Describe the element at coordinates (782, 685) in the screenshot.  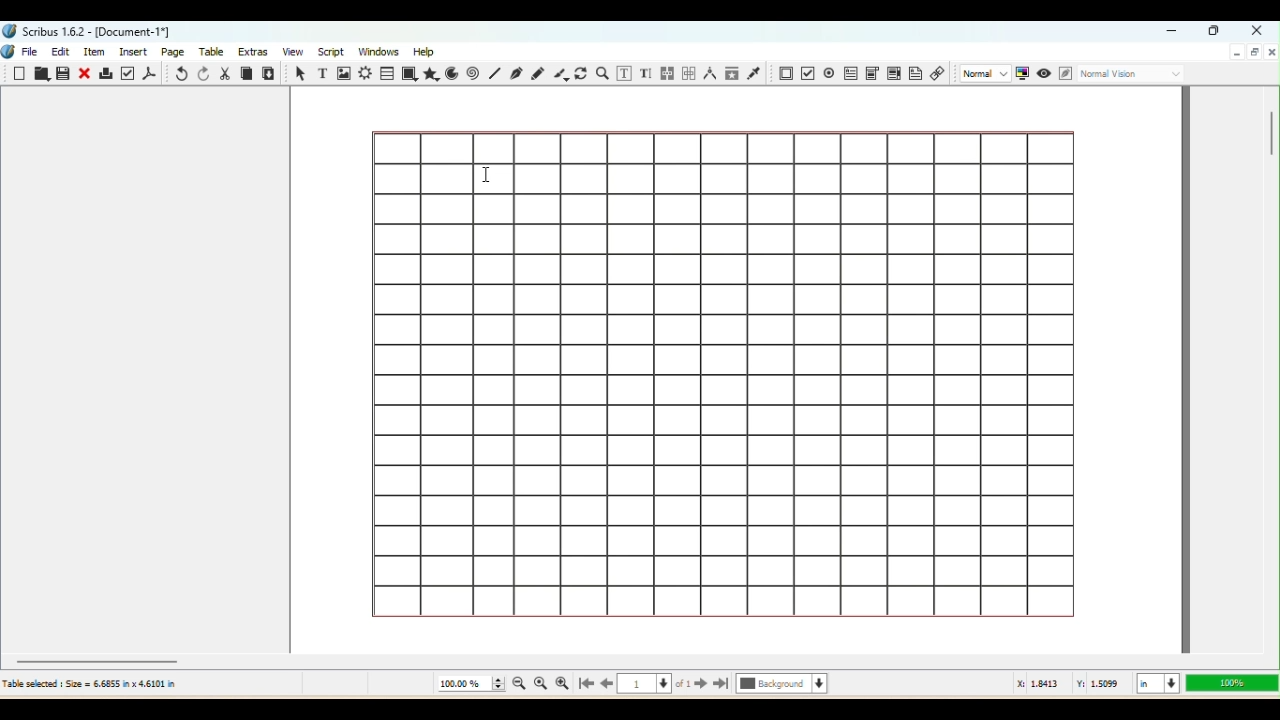
I see `Select the current layer` at that location.